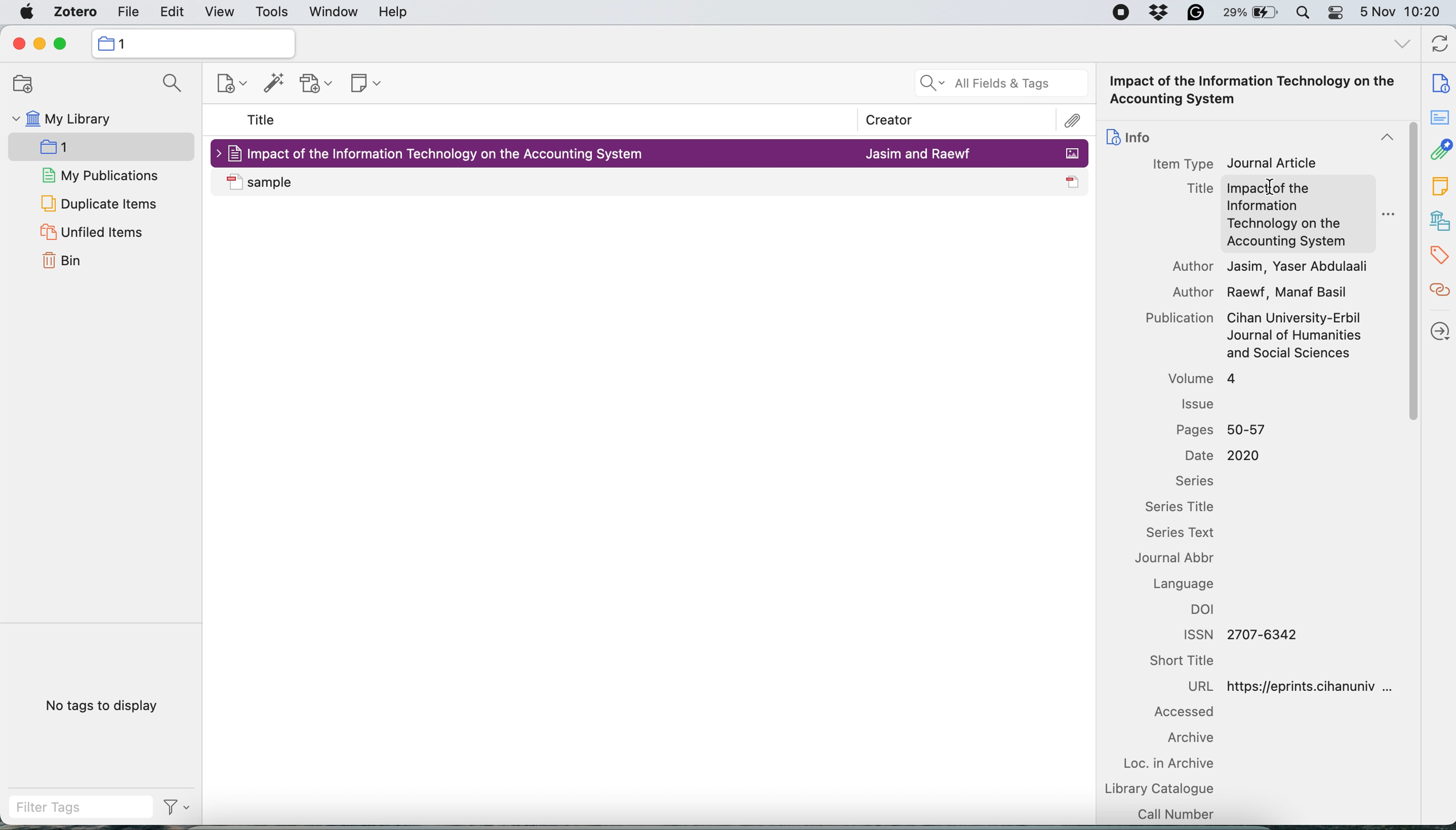 The height and width of the screenshot is (830, 1456). Describe the element at coordinates (1439, 83) in the screenshot. I see `note info` at that location.